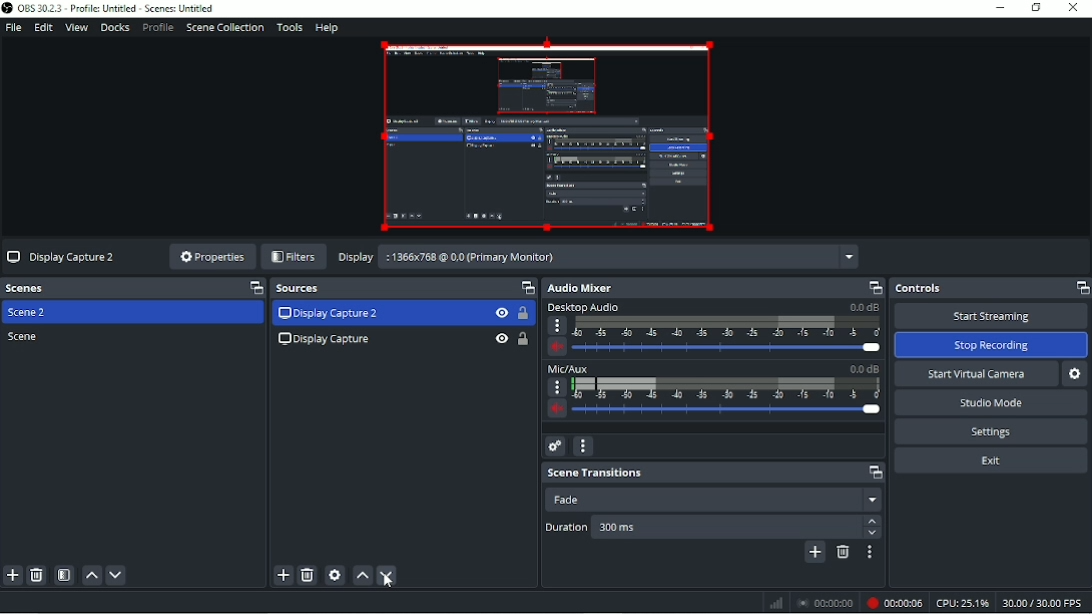  What do you see at coordinates (12, 576) in the screenshot?
I see `Add scene` at bounding box center [12, 576].